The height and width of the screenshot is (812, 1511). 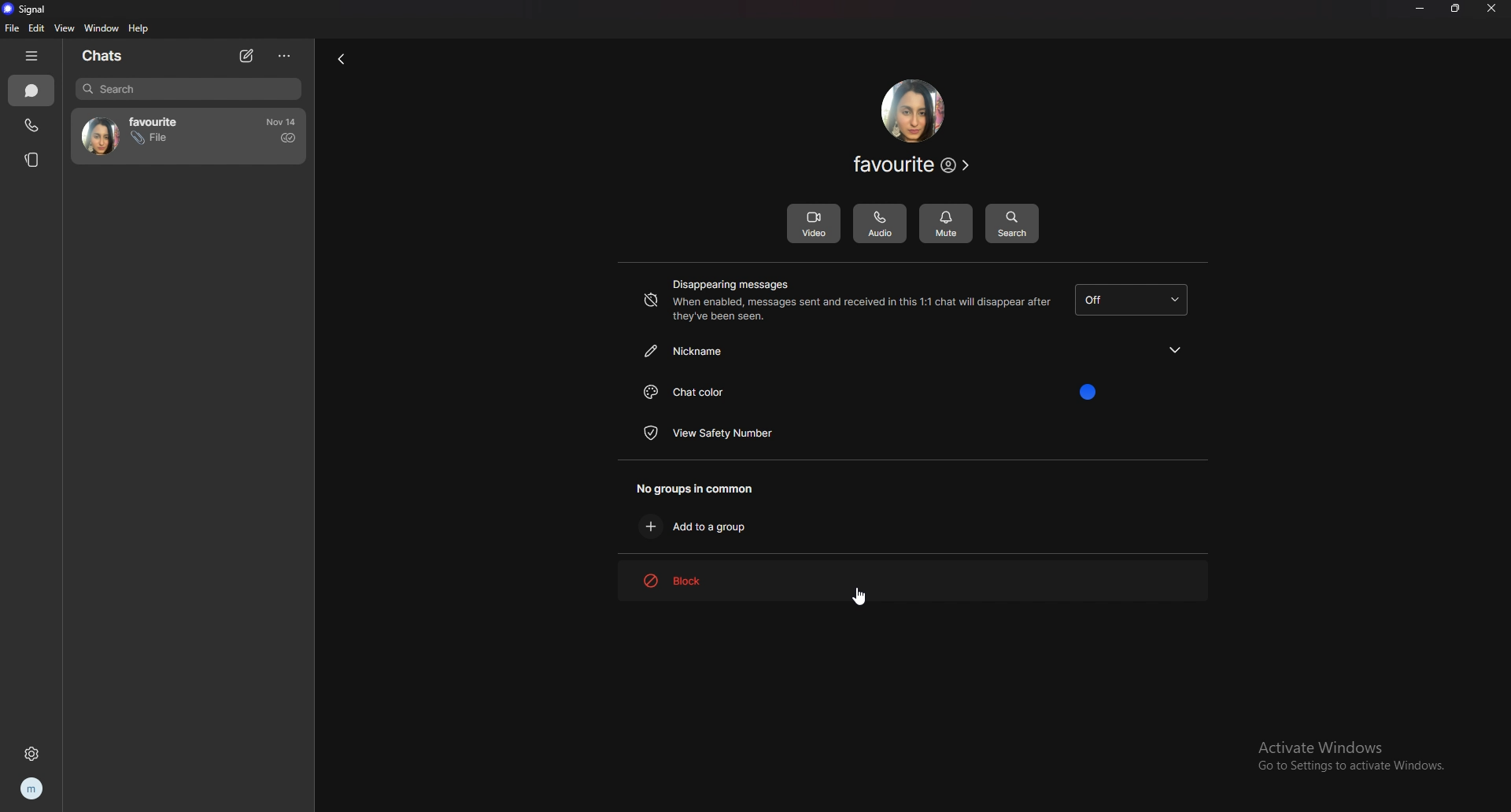 I want to click on contact photo, so click(x=912, y=110).